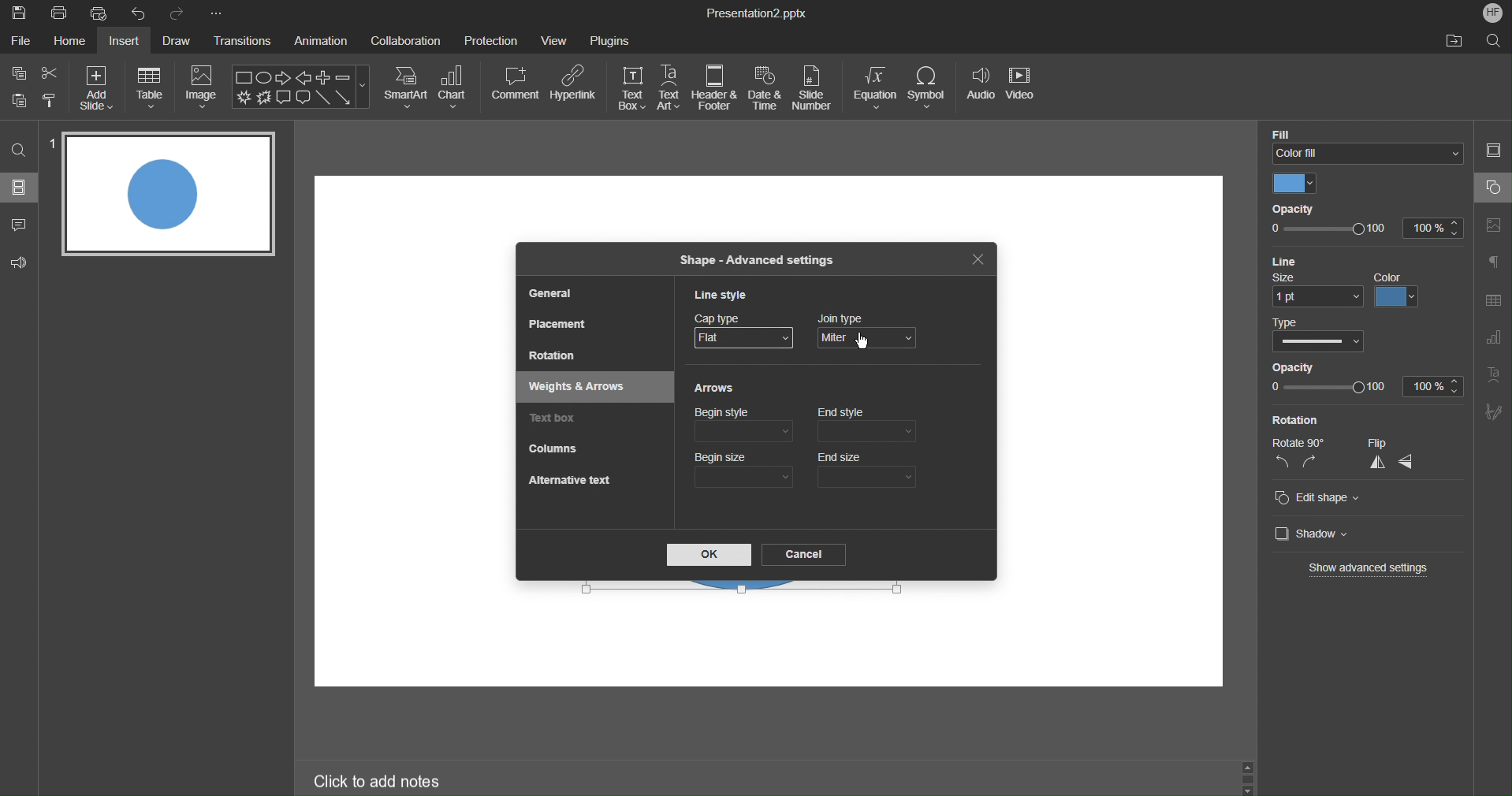  I want to click on End style, so click(869, 425).